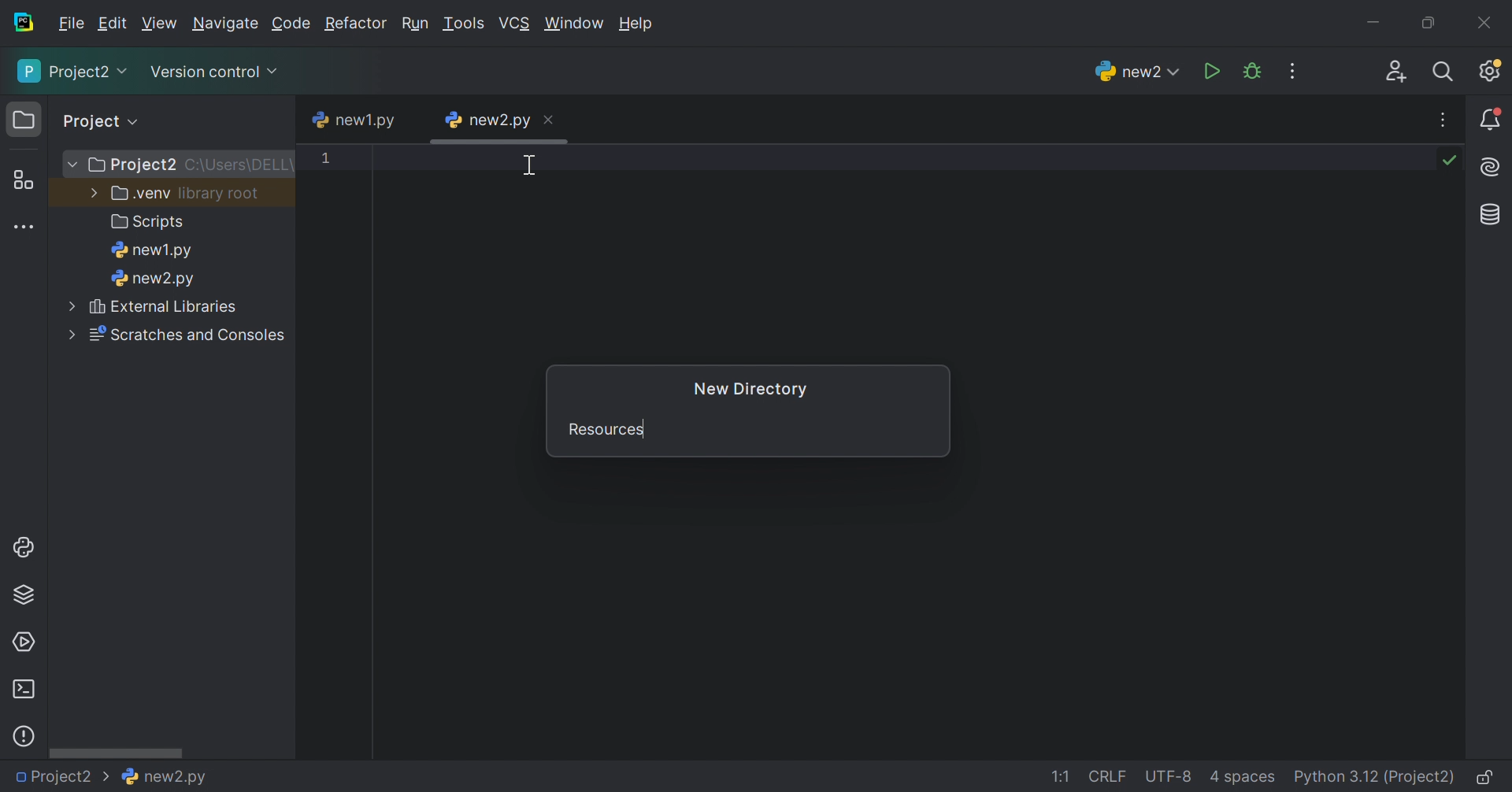 The height and width of the screenshot is (792, 1512). Describe the element at coordinates (1243, 775) in the screenshot. I see `4 spaces` at that location.